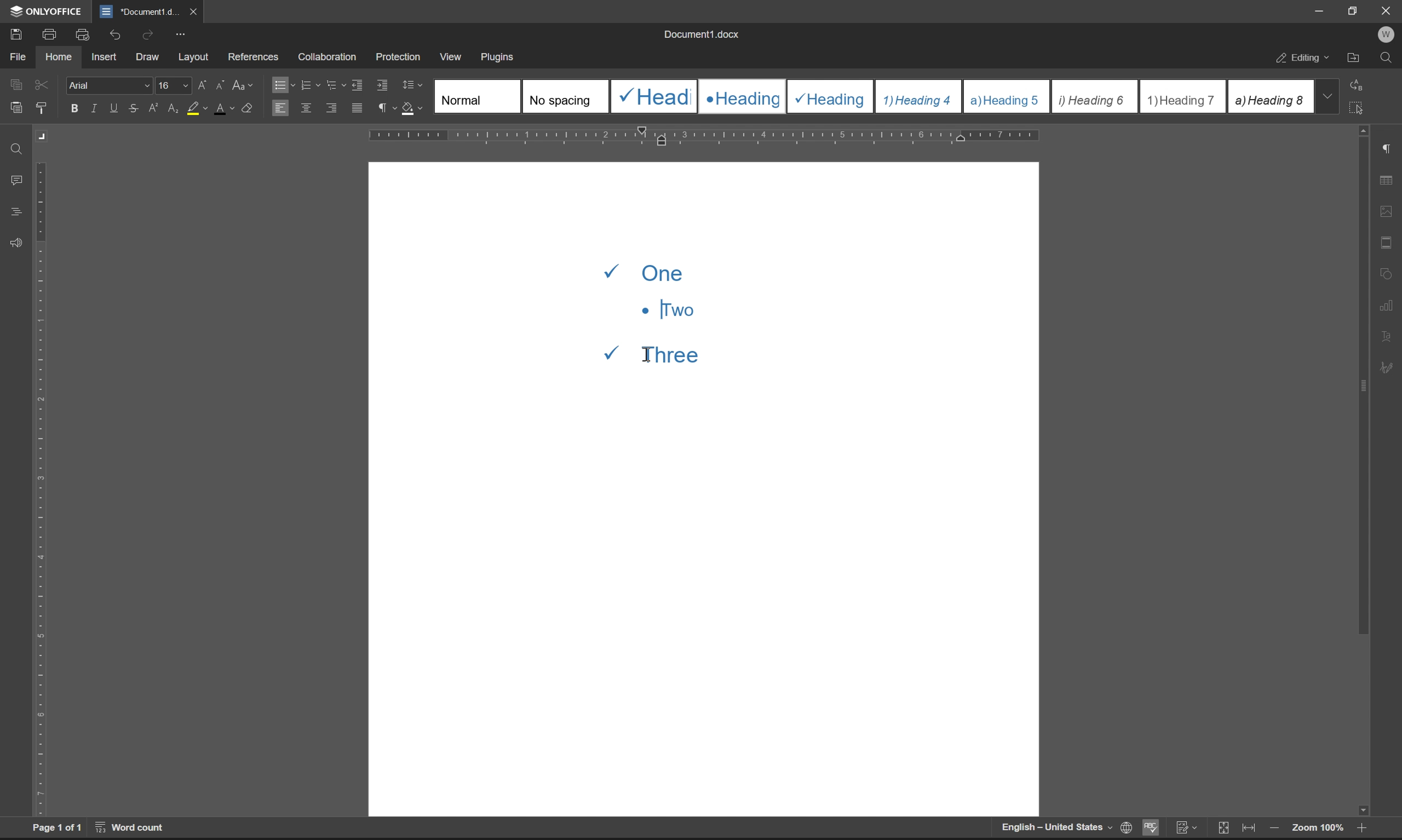  What do you see at coordinates (705, 136) in the screenshot?
I see `ruler` at bounding box center [705, 136].